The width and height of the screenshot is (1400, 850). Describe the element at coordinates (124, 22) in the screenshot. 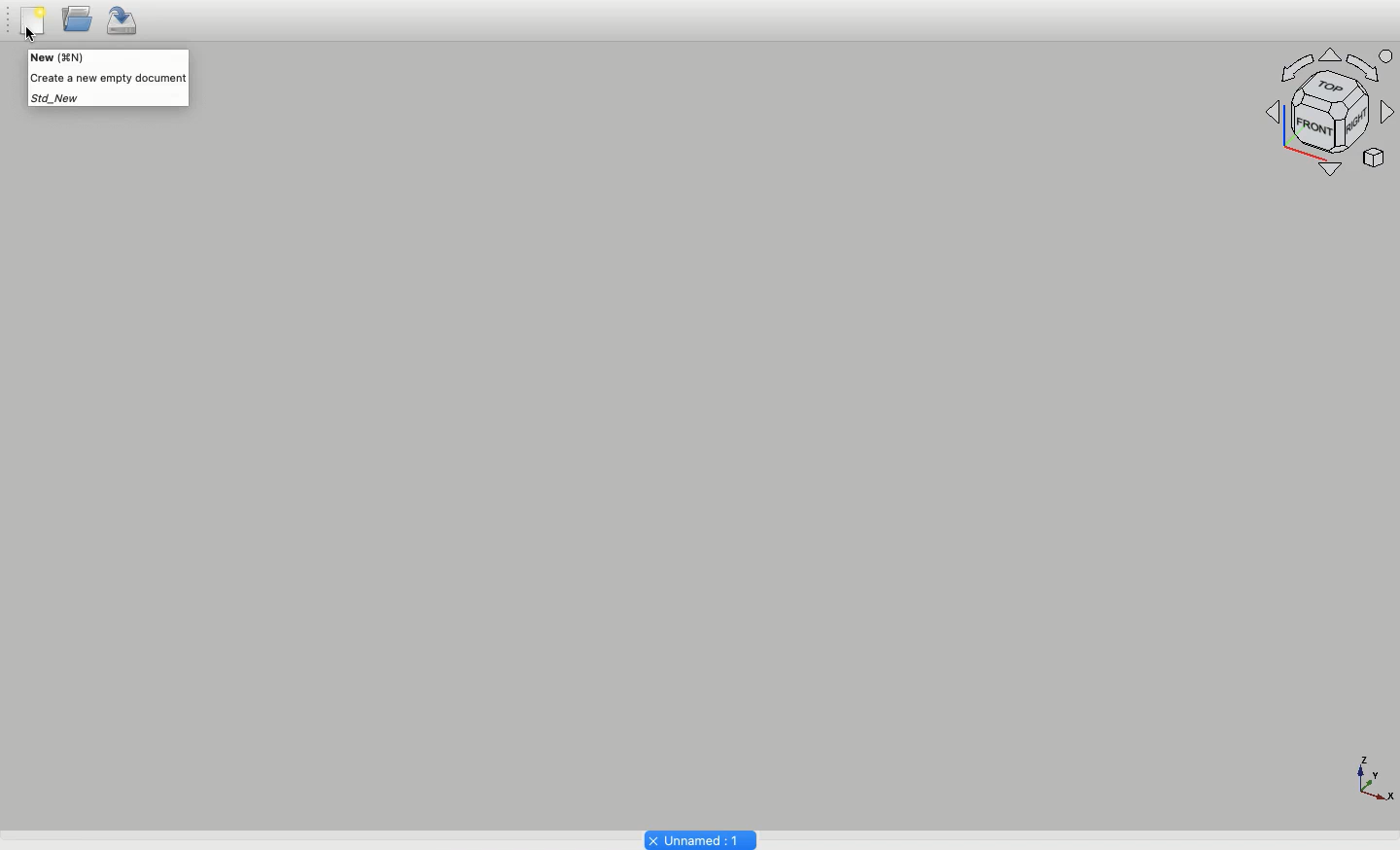

I see `Save` at that location.